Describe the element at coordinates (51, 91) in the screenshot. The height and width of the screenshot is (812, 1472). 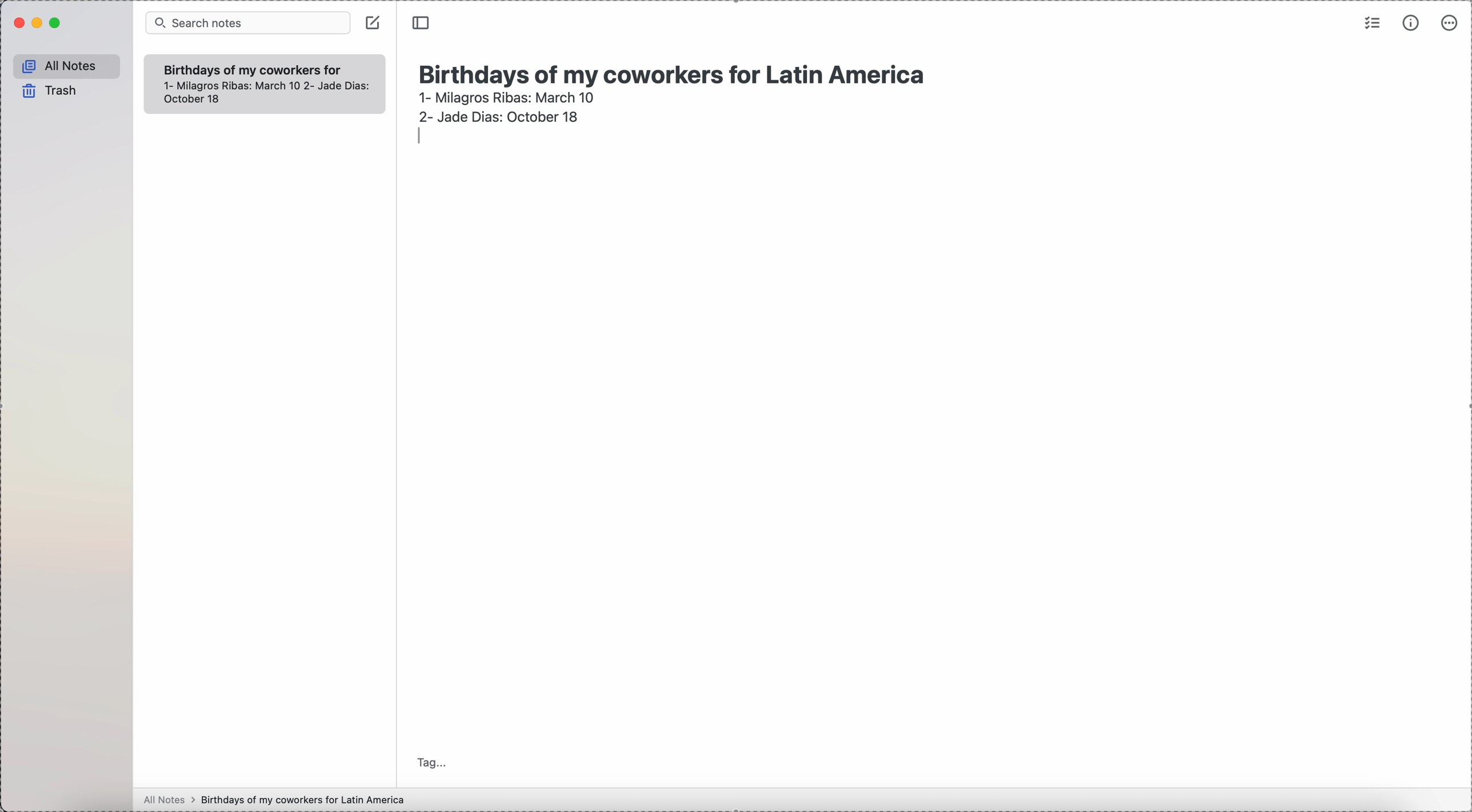
I see `trash` at that location.